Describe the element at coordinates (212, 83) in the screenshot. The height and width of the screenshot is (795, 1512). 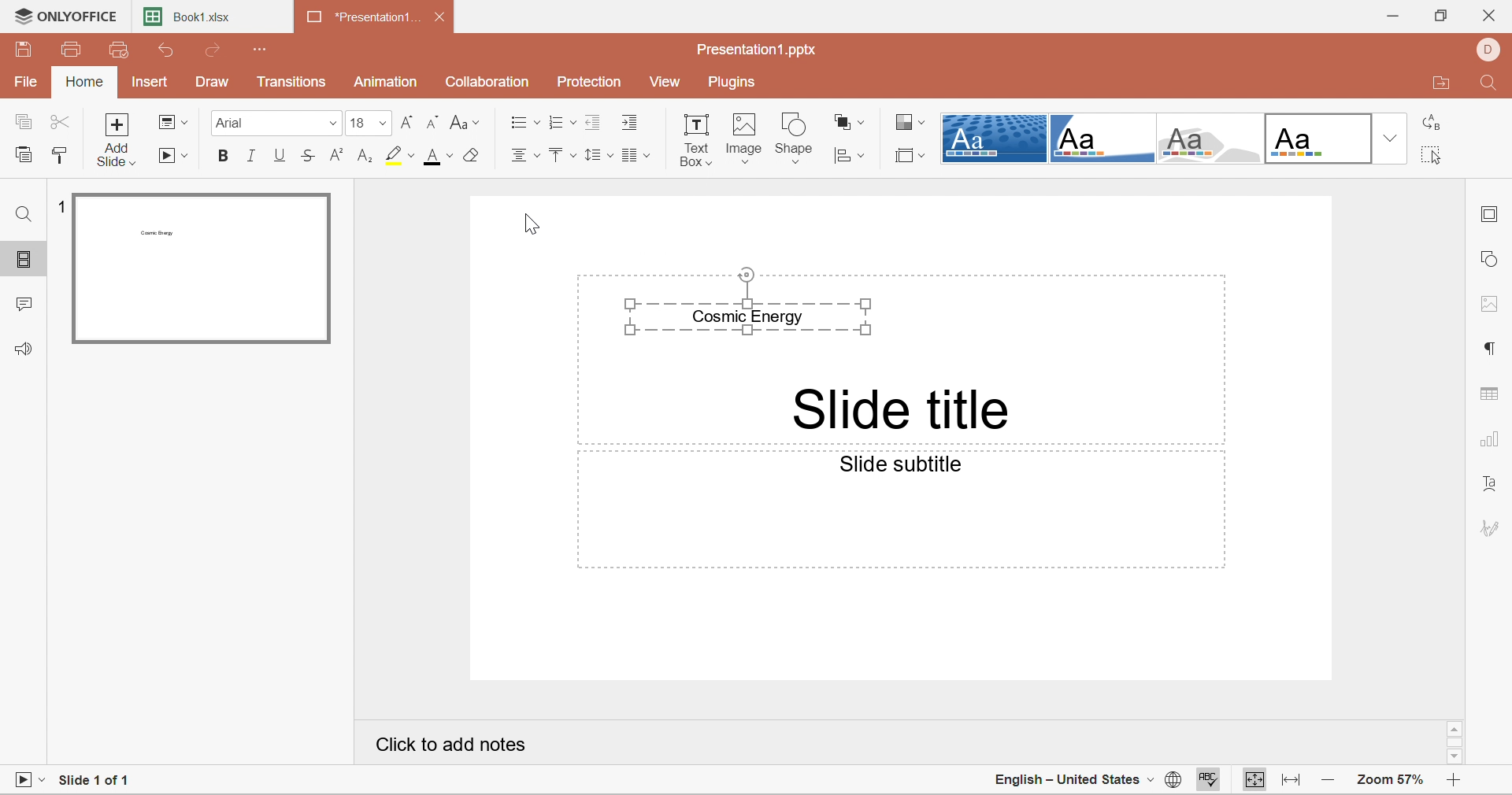
I see `Draw` at that location.